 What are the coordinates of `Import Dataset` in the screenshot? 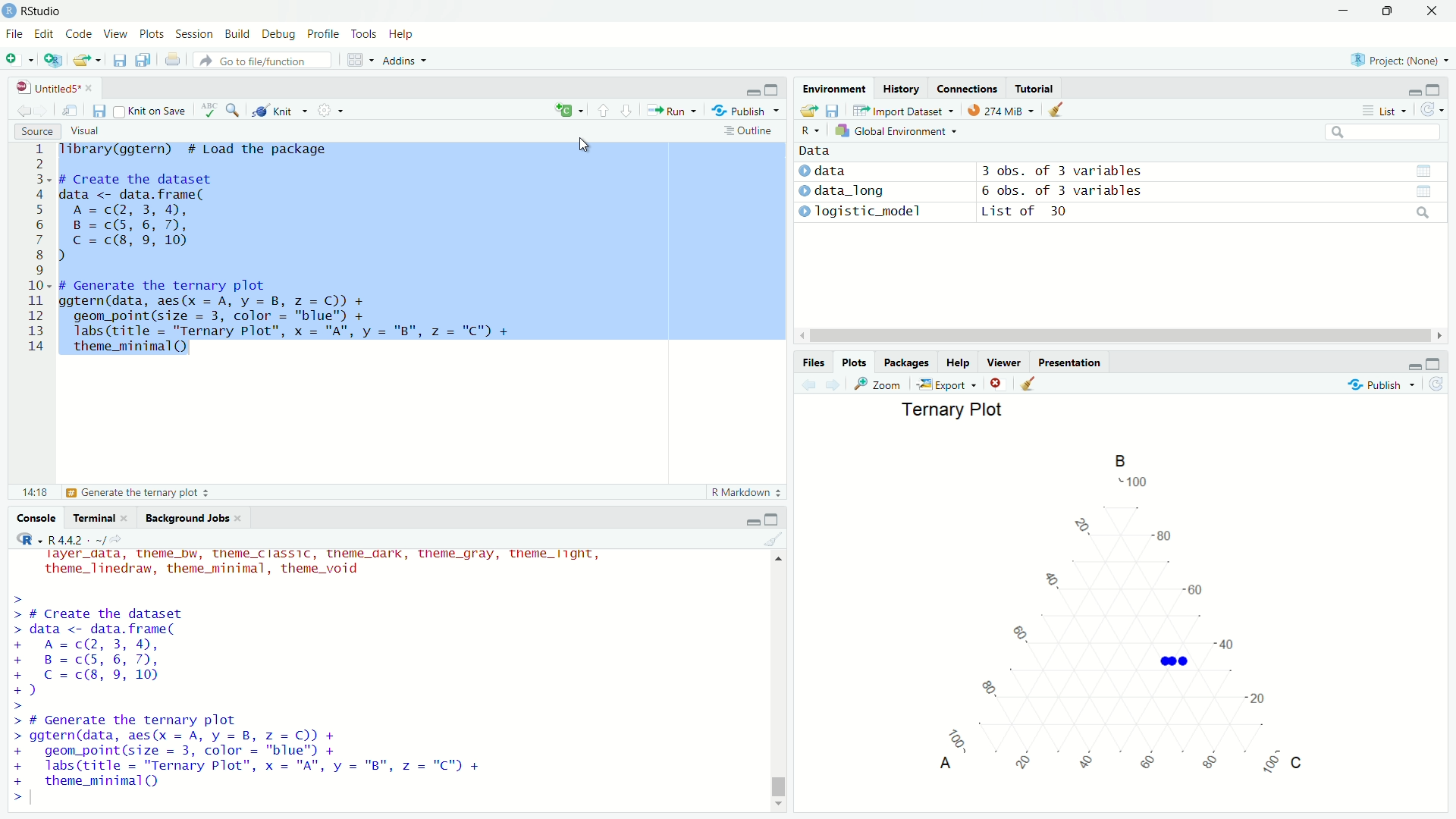 It's located at (899, 110).